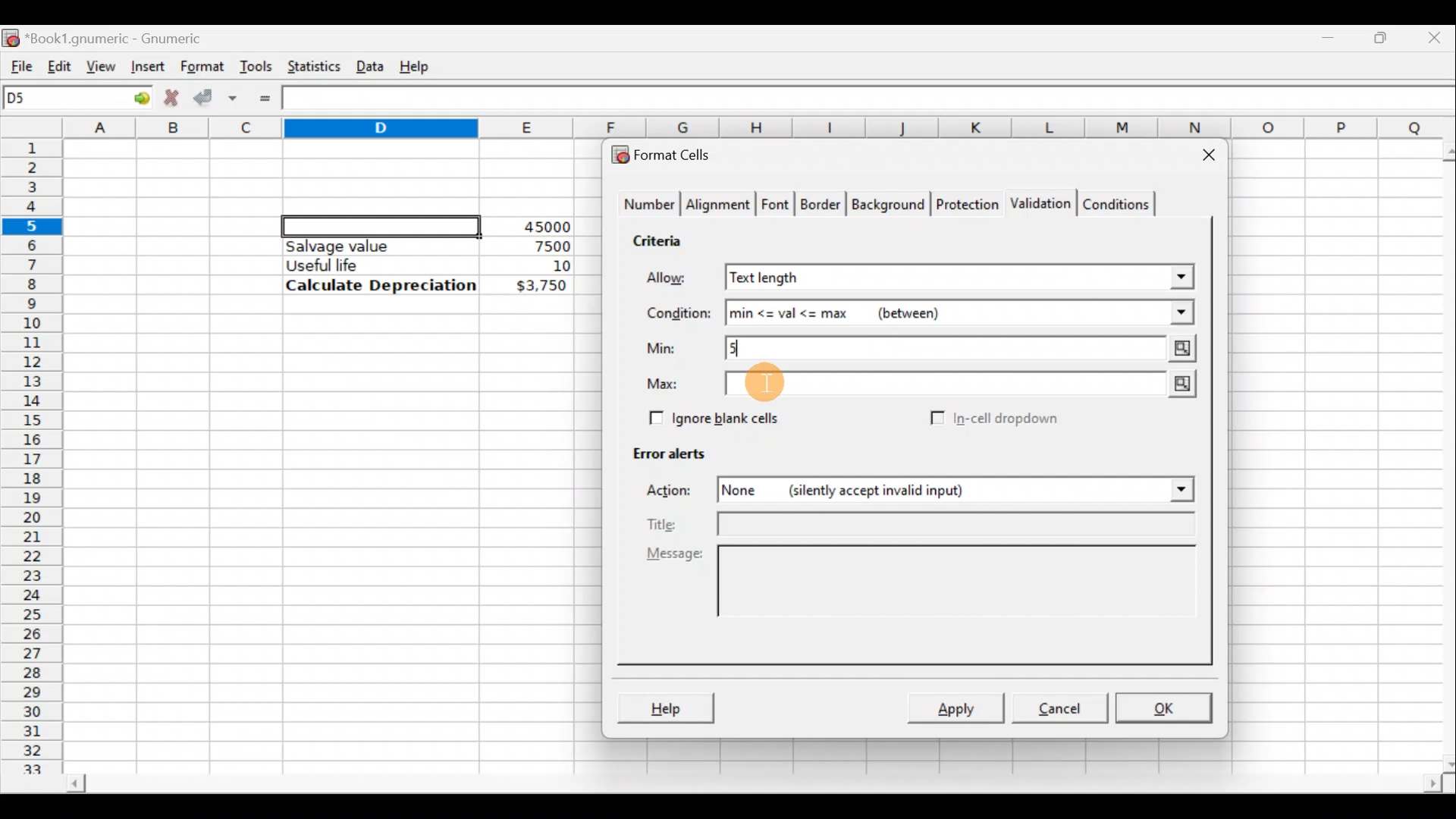  Describe the element at coordinates (766, 385) in the screenshot. I see `Cursor on max value` at that location.